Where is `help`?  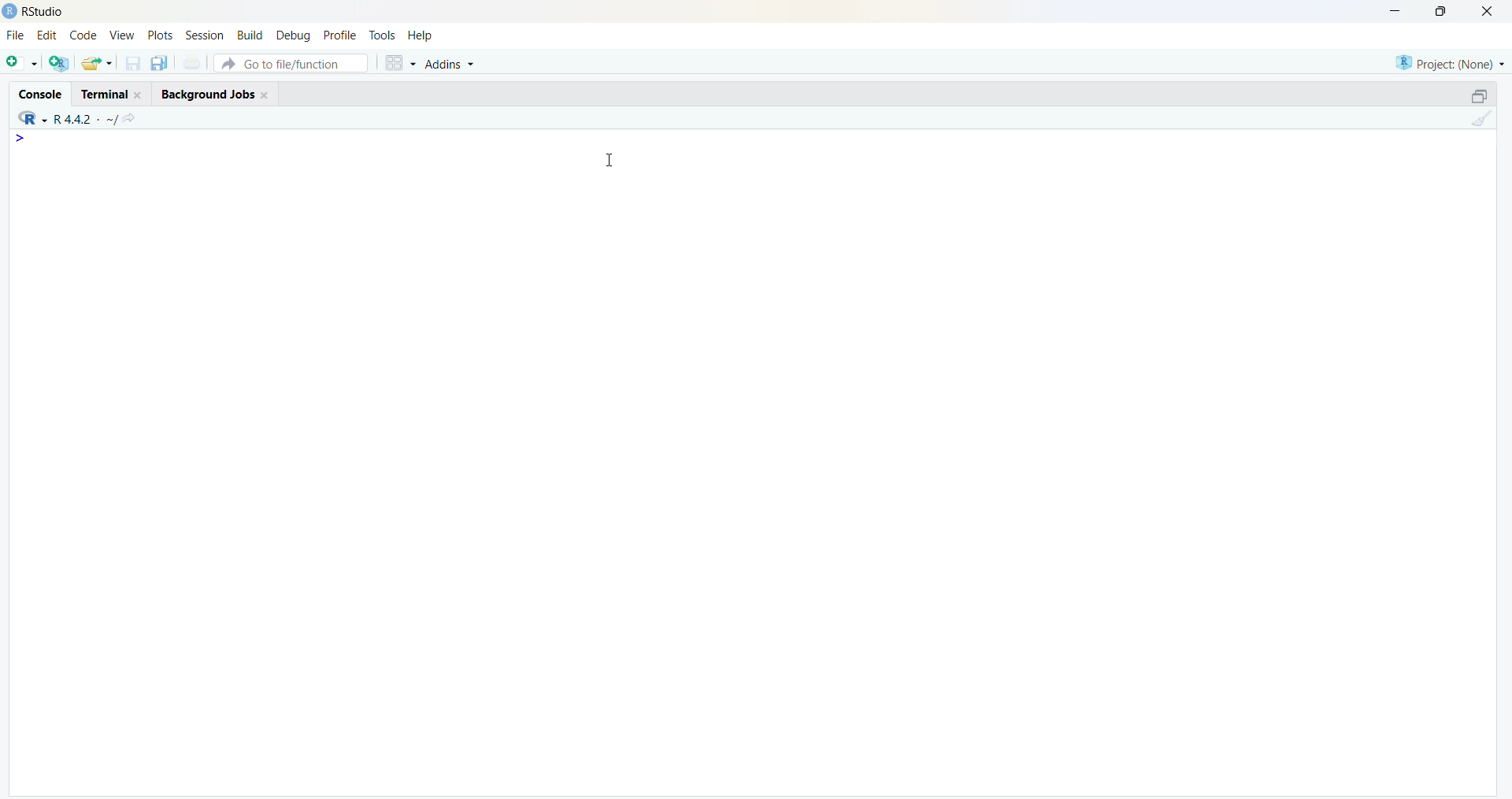
help is located at coordinates (422, 36).